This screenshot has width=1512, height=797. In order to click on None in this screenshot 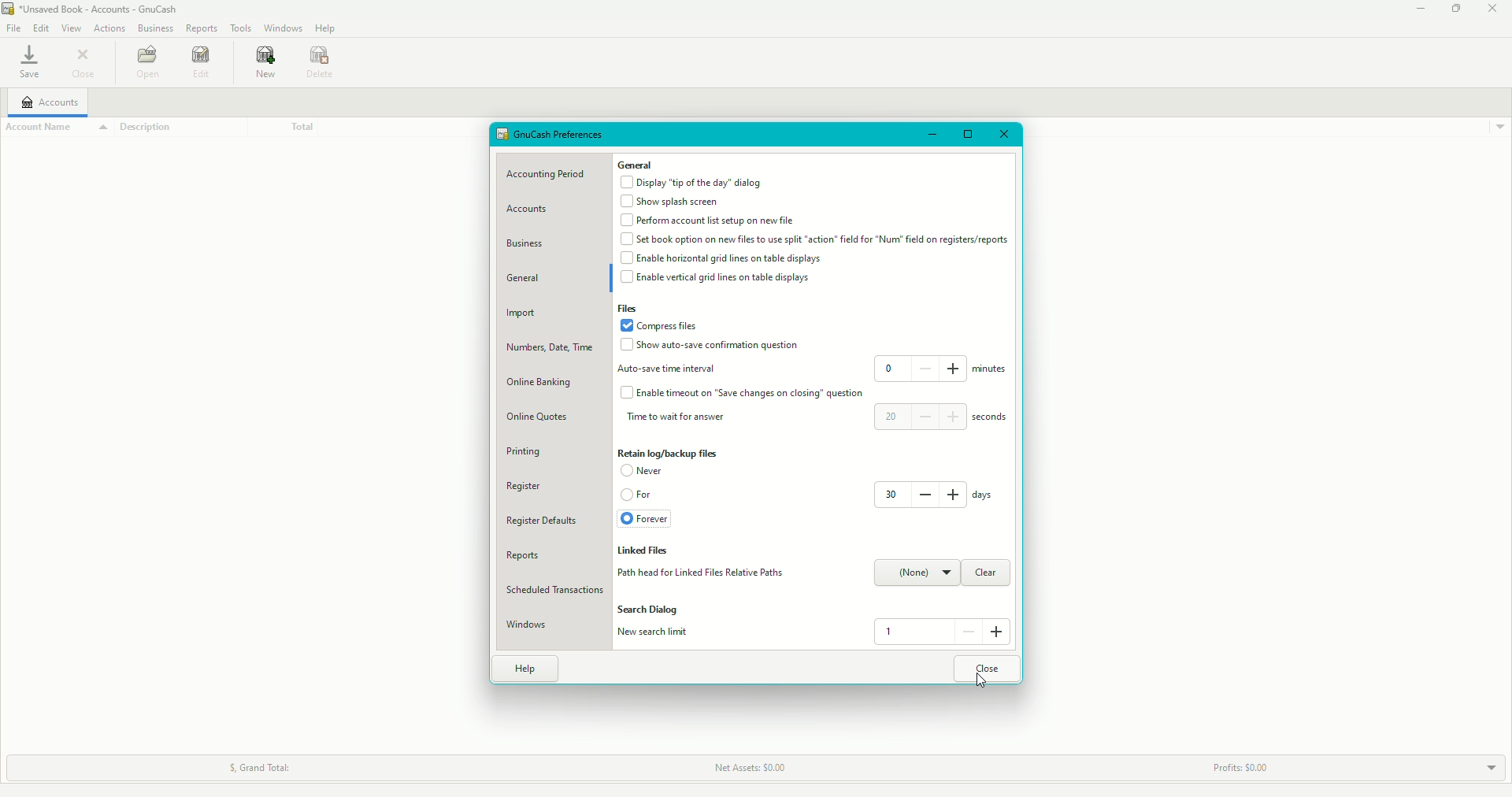, I will do `click(917, 573)`.